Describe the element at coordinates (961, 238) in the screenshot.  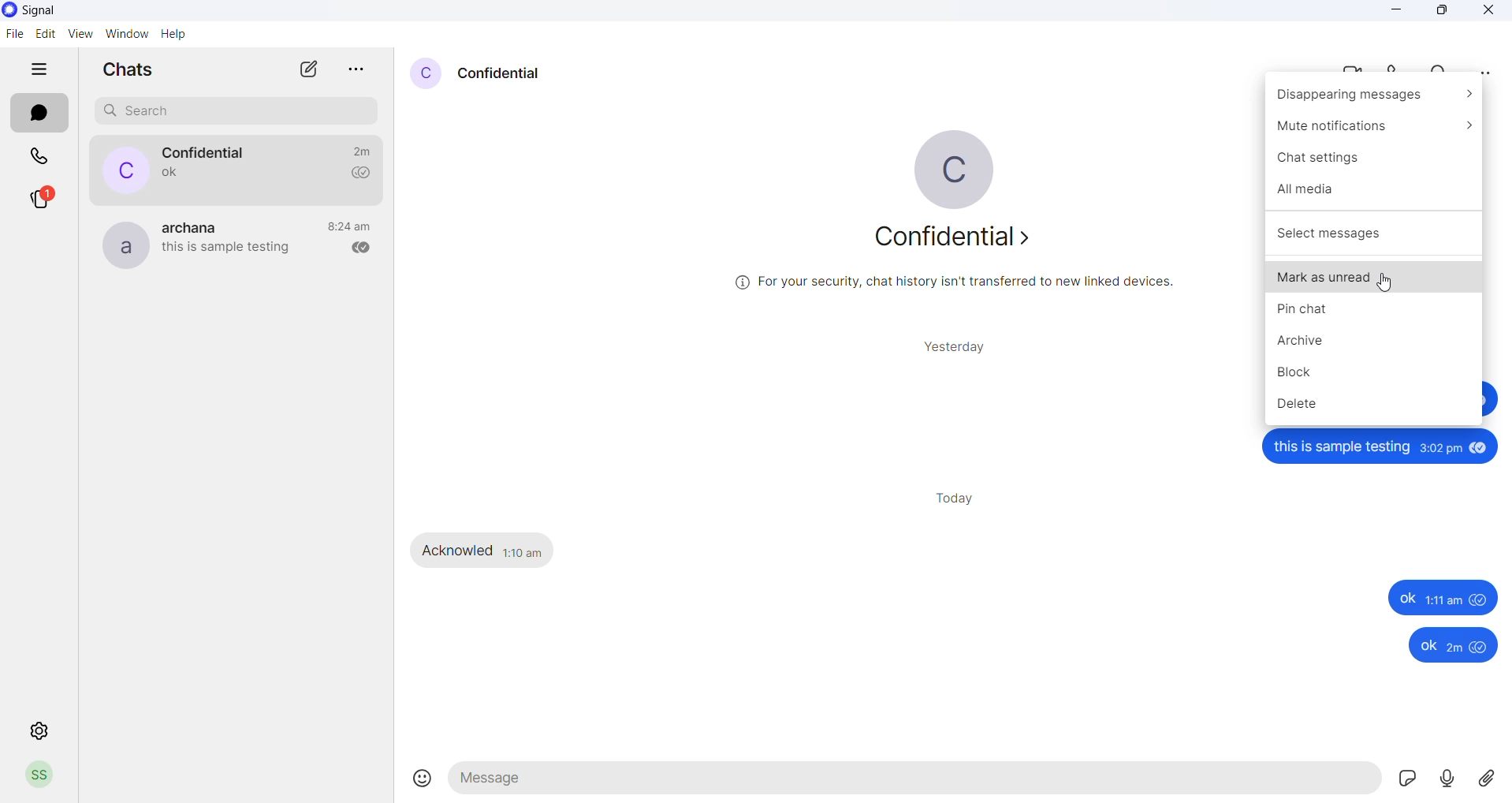
I see `about contact` at that location.